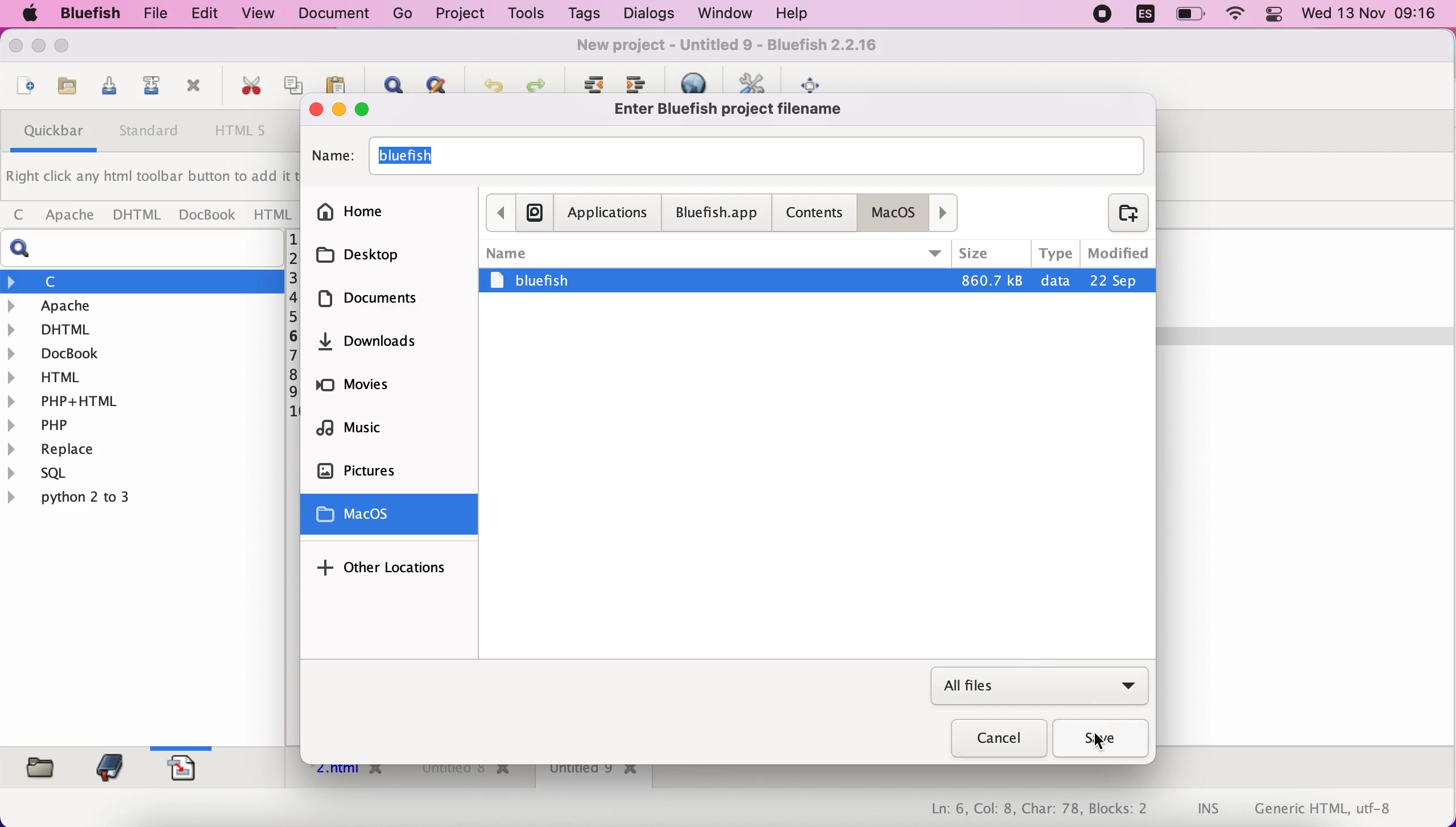 The width and height of the screenshot is (1456, 827). What do you see at coordinates (715, 214) in the screenshot?
I see `bluefish.app` at bounding box center [715, 214].